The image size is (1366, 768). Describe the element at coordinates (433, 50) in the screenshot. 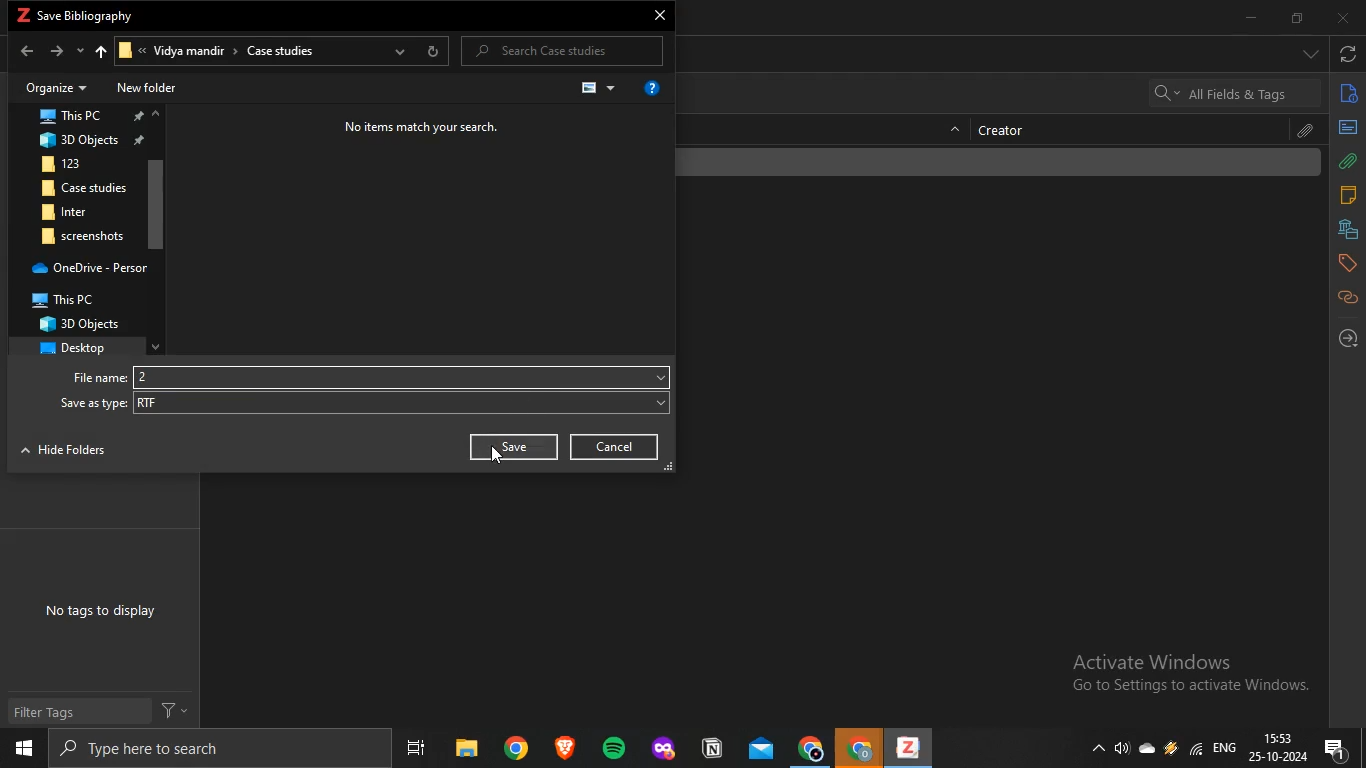

I see `refresh` at that location.